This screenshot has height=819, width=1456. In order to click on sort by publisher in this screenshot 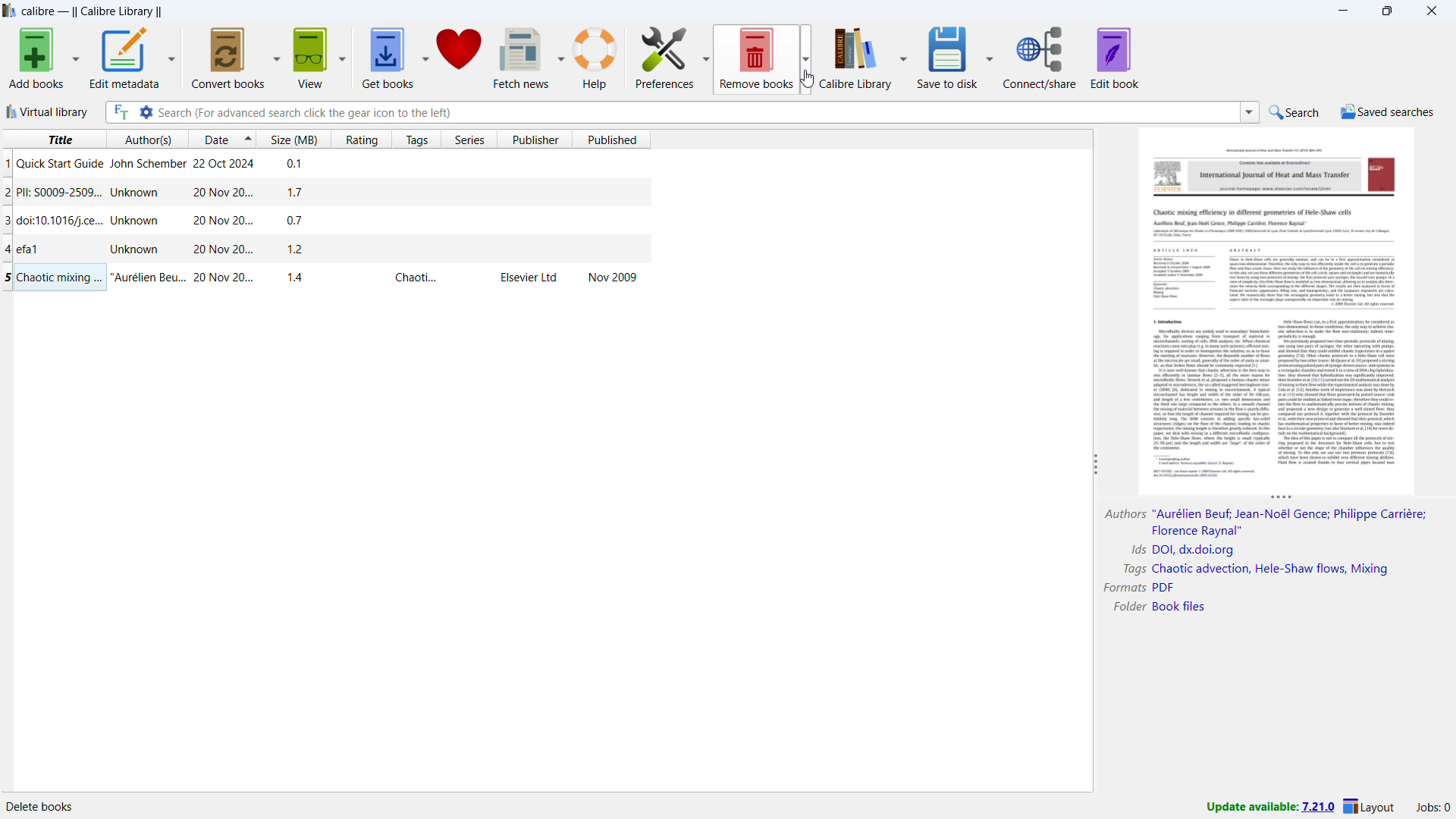, I will do `click(535, 140)`.